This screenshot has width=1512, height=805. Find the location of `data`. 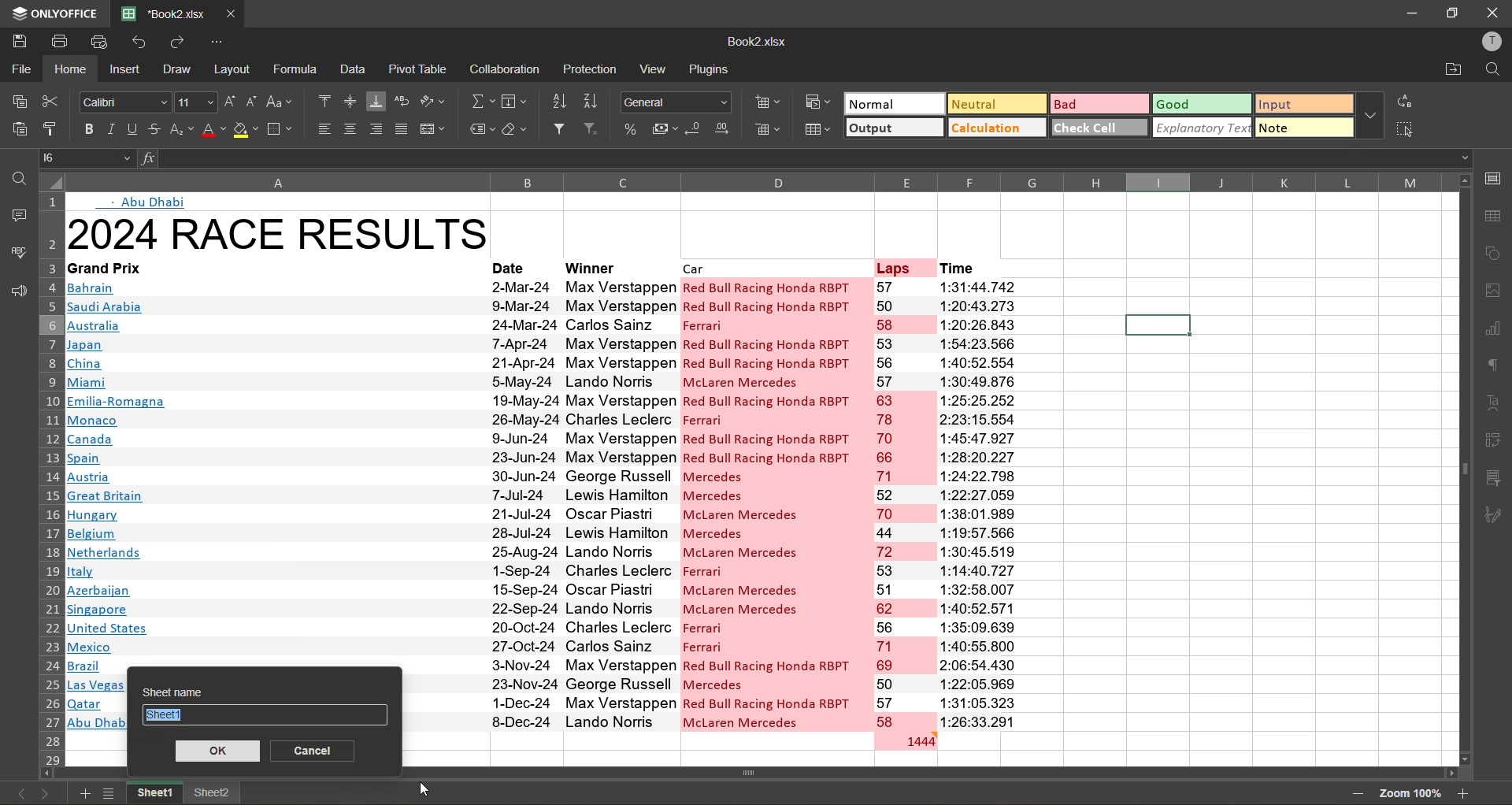

data is located at coordinates (354, 72).